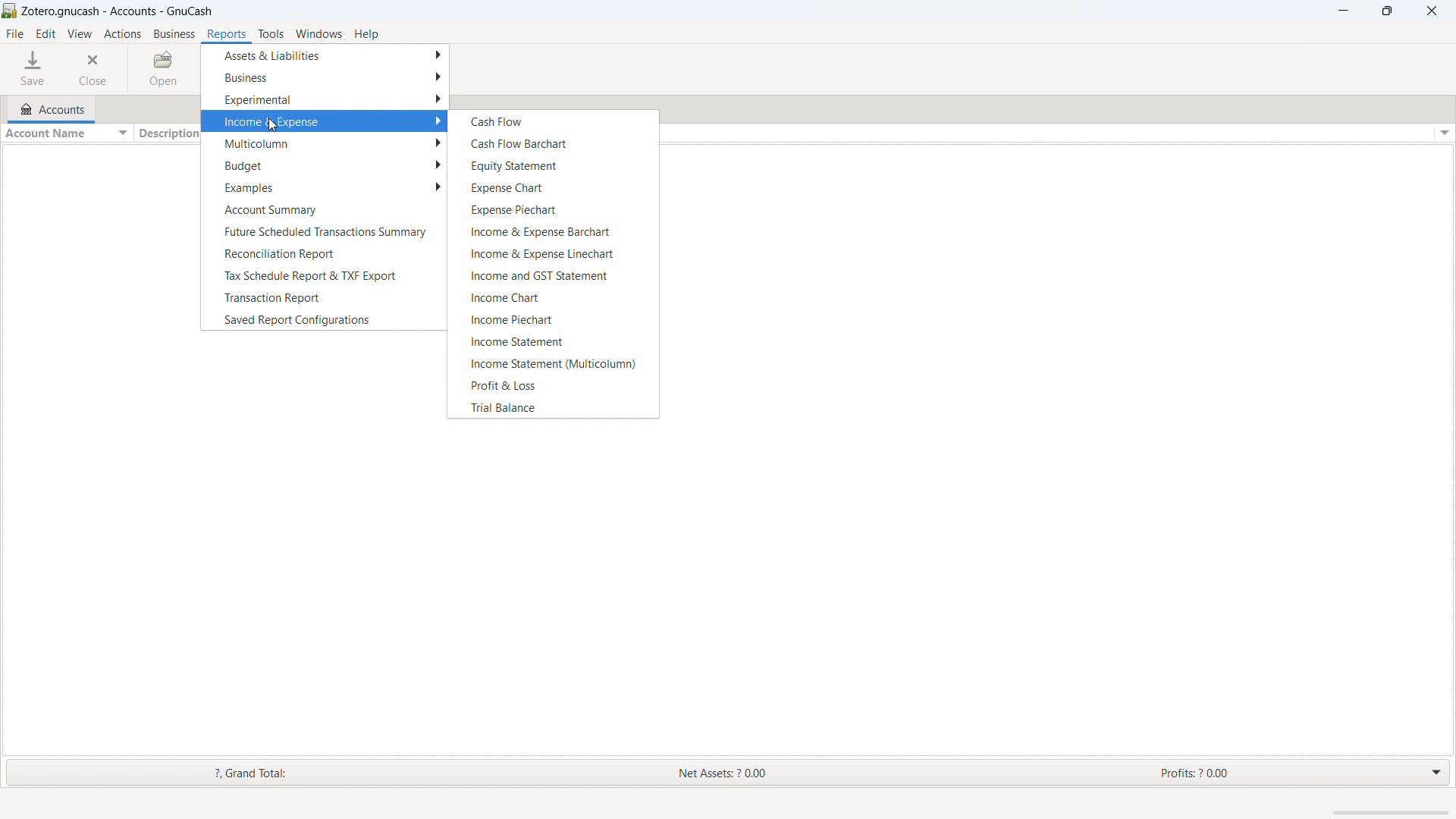 This screenshot has height=819, width=1456. I want to click on save report configurations, so click(322, 318).